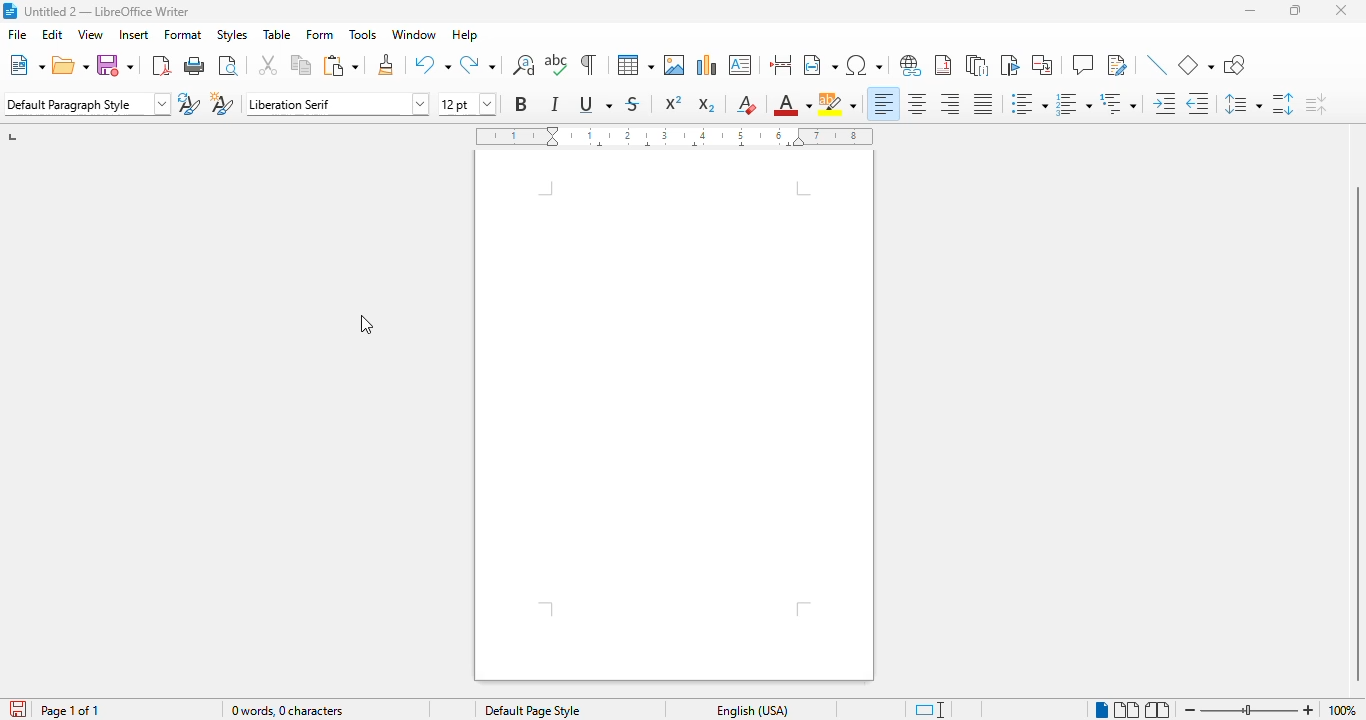 The height and width of the screenshot is (720, 1366). What do you see at coordinates (339, 103) in the screenshot?
I see `font name` at bounding box center [339, 103].